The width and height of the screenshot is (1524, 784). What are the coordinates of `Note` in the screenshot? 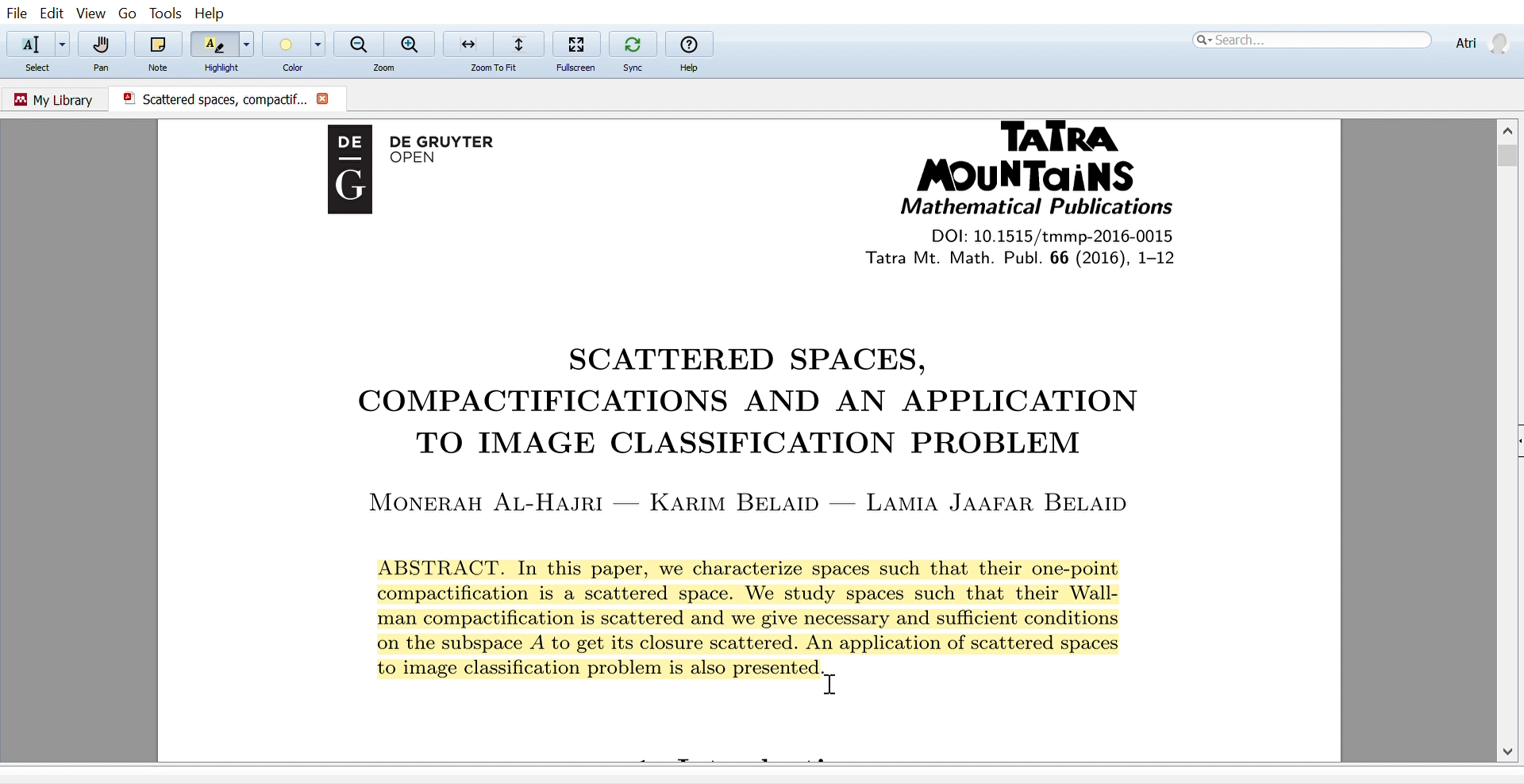 It's located at (159, 44).